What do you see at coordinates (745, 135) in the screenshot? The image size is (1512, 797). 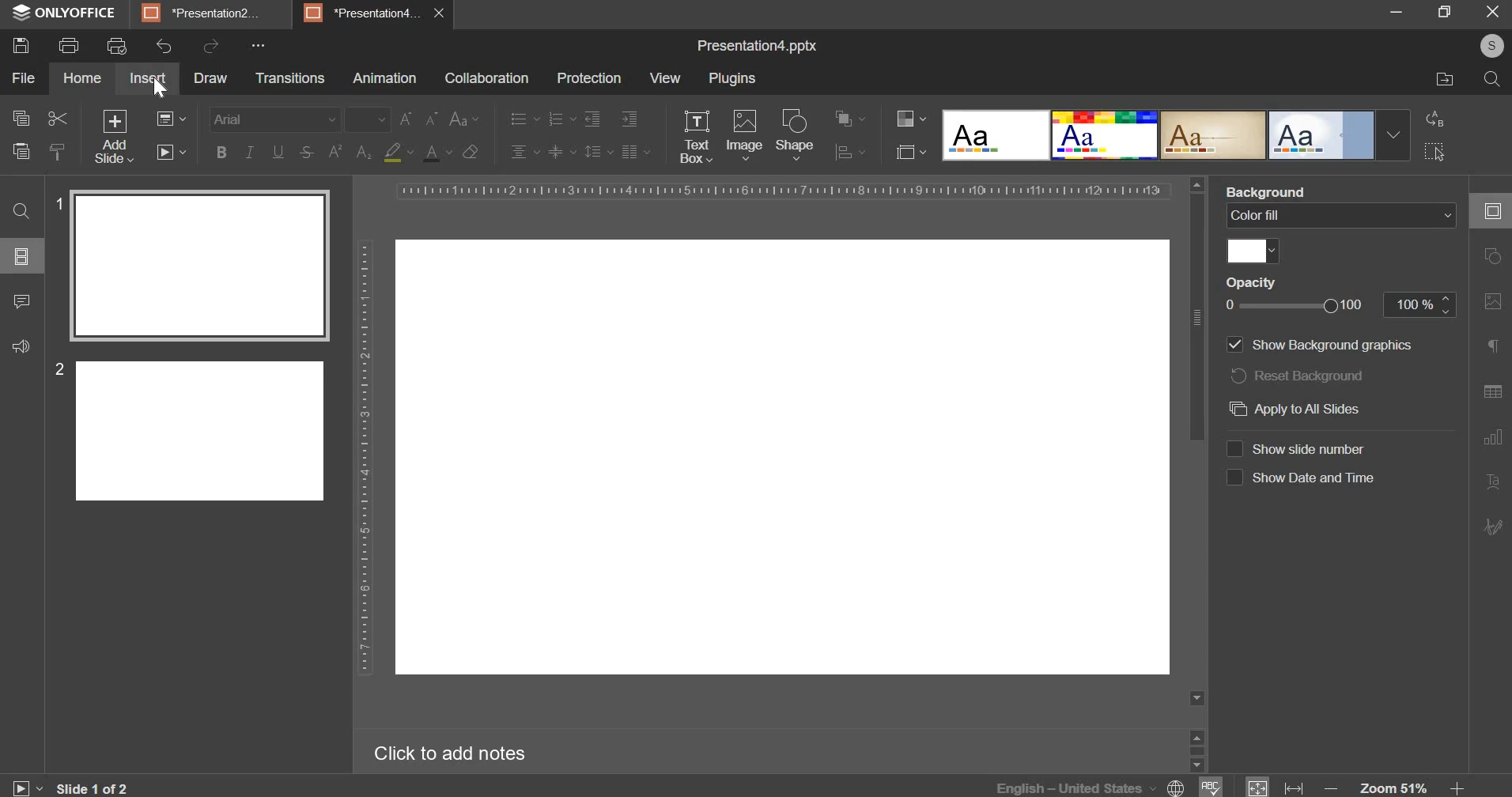 I see `image` at bounding box center [745, 135].